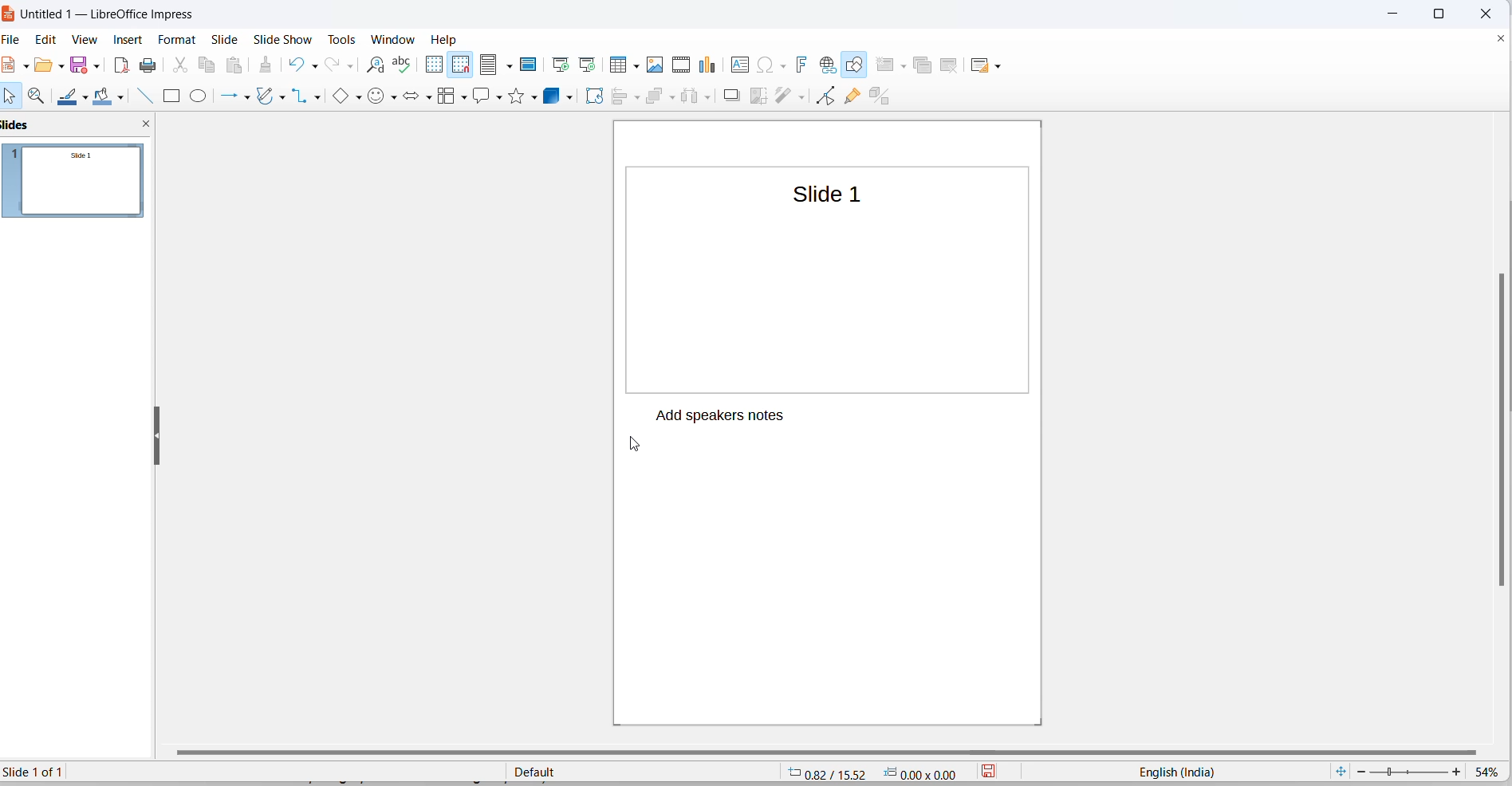 This screenshot has width=1512, height=786. I want to click on zoom percentage, so click(1490, 772).